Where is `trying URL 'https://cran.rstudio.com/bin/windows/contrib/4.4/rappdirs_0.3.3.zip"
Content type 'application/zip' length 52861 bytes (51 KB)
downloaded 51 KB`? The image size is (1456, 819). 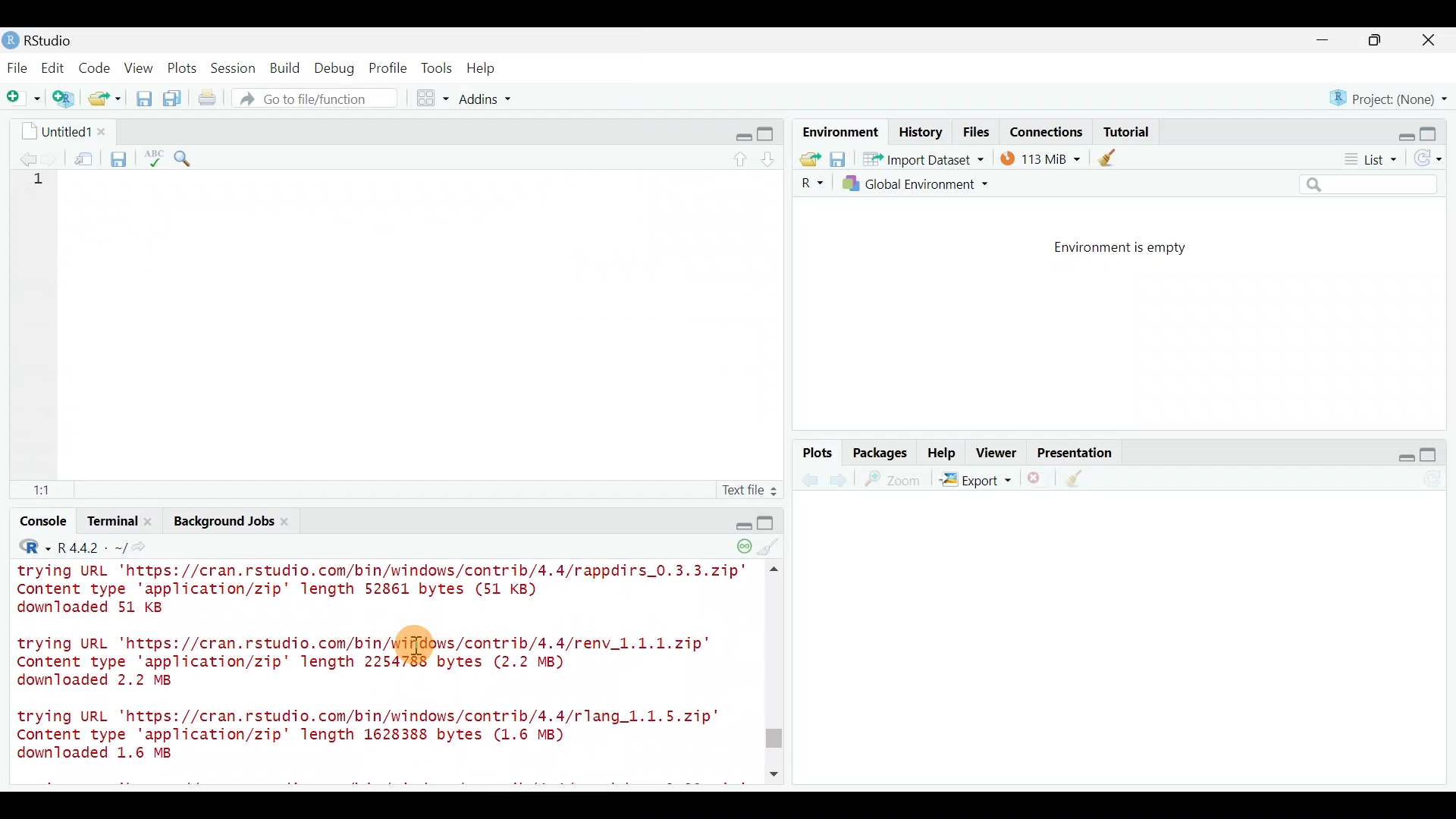
trying URL 'https://cran.rstudio.com/bin/windows/contrib/4.4/rappdirs_0.3.3.zip"
Content type 'application/zip' length 52861 bytes (51 KB)
downloaded 51 KB is located at coordinates (390, 591).